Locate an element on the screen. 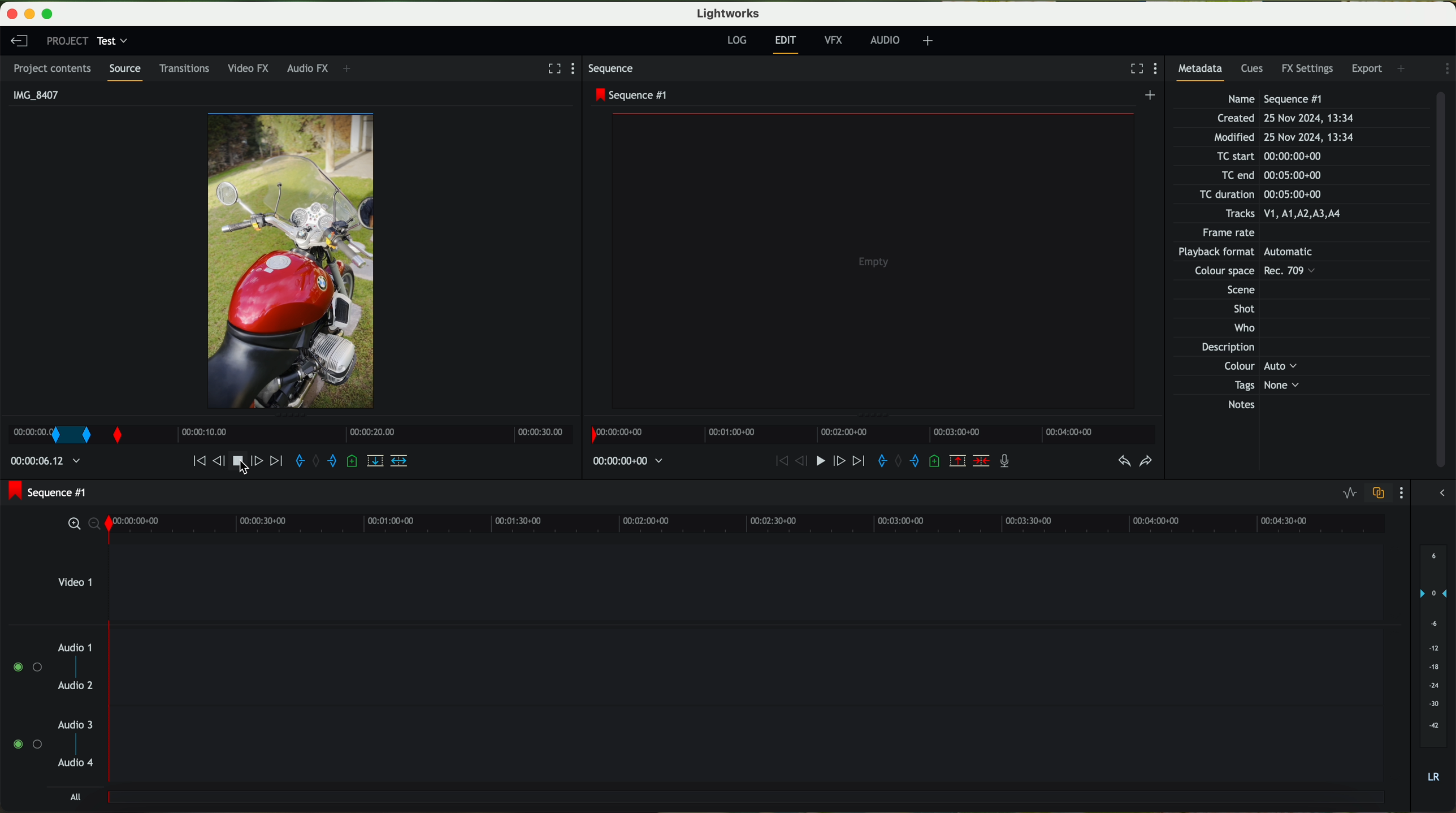 The image size is (1456, 813). timeline is located at coordinates (872, 434).